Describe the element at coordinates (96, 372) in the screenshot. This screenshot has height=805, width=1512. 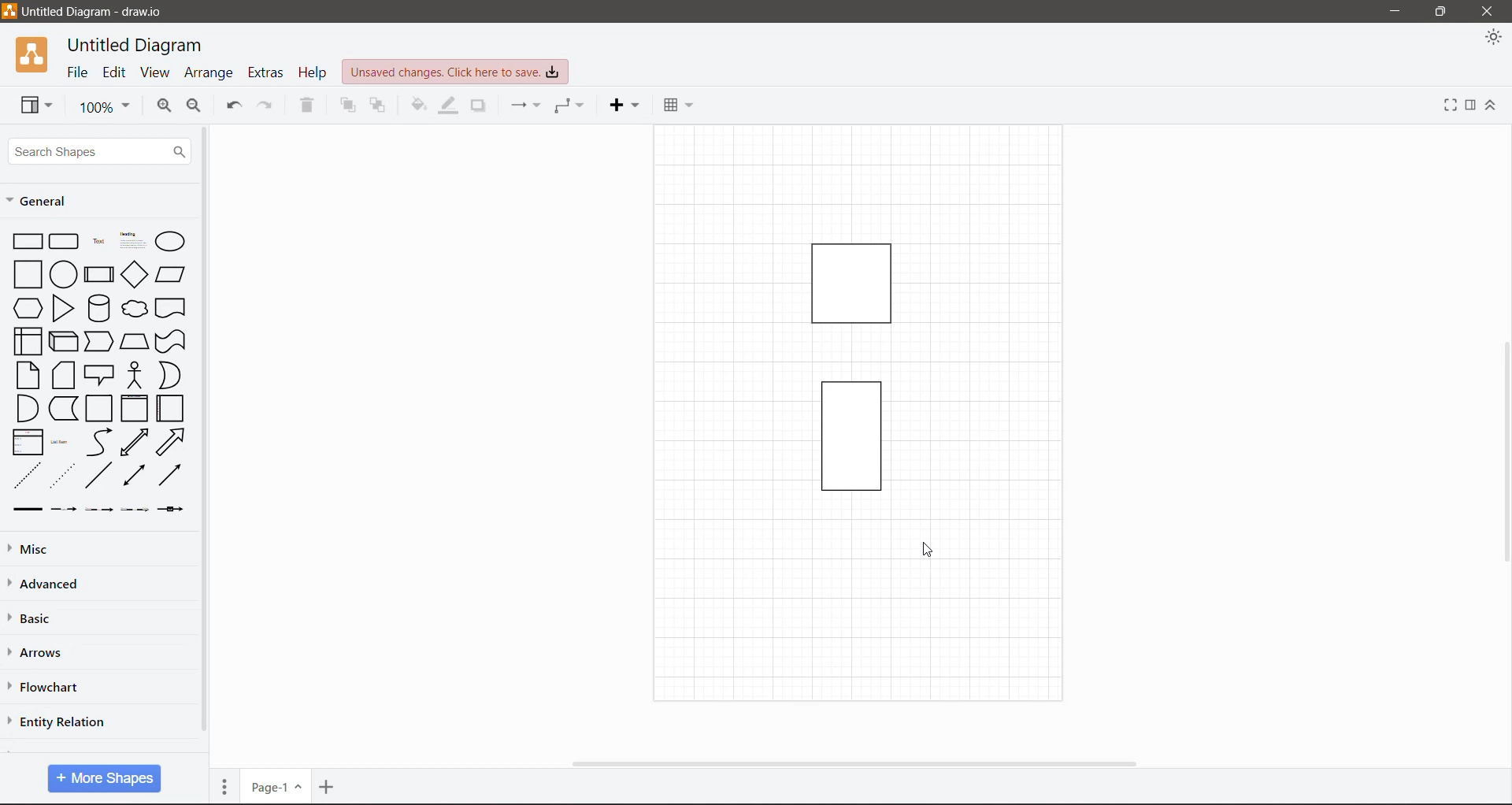
I see `Shapes available in General` at that location.